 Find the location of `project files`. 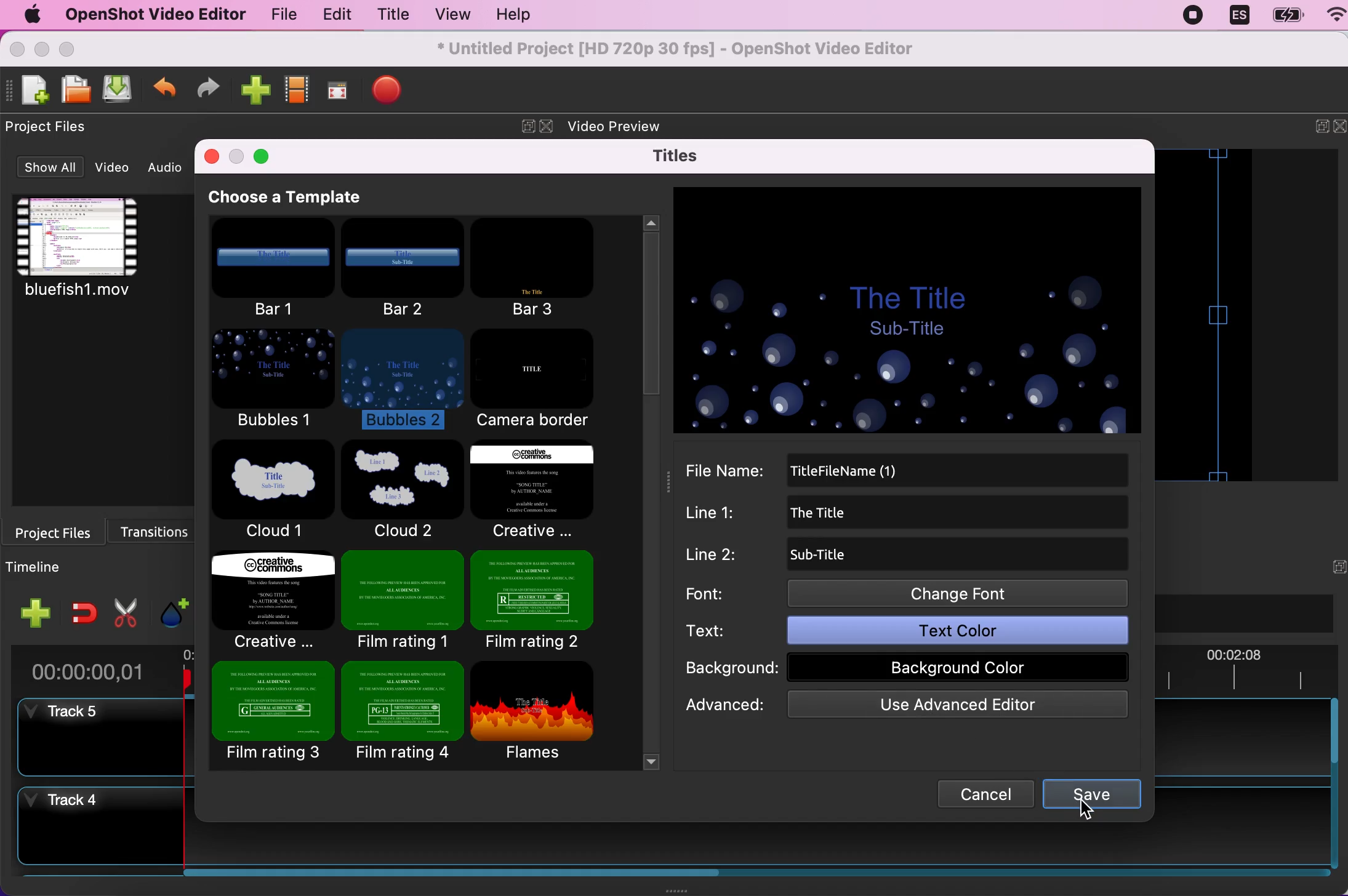

project files is located at coordinates (58, 531).